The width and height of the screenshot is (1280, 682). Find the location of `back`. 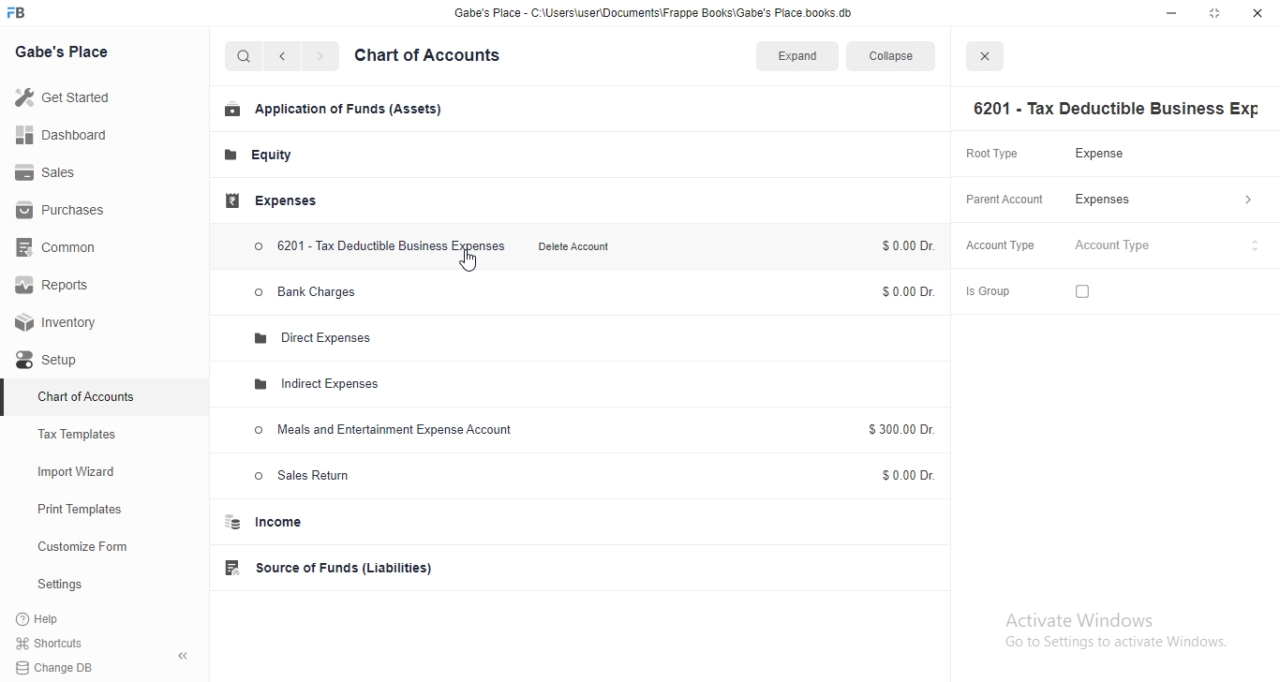

back is located at coordinates (287, 59).